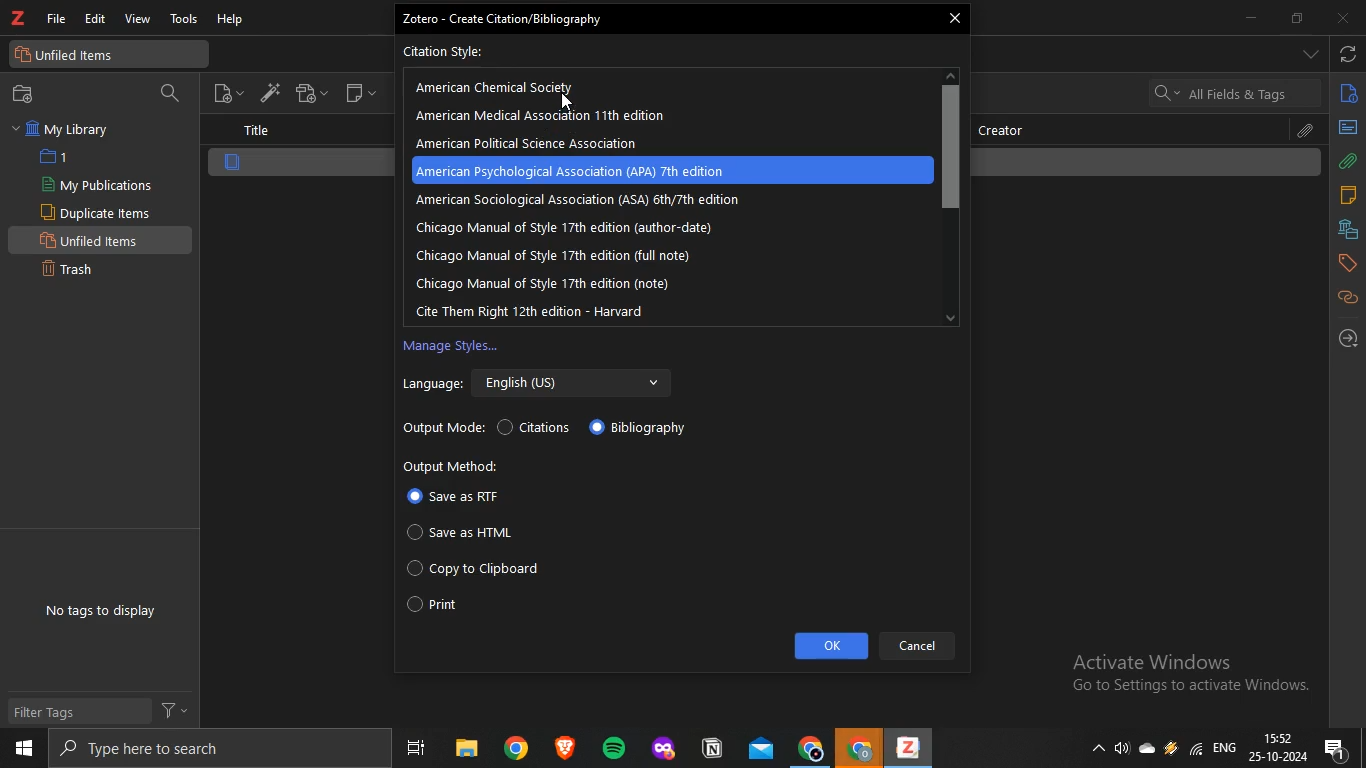 This screenshot has width=1366, height=768. I want to click on Cancel, so click(917, 646).